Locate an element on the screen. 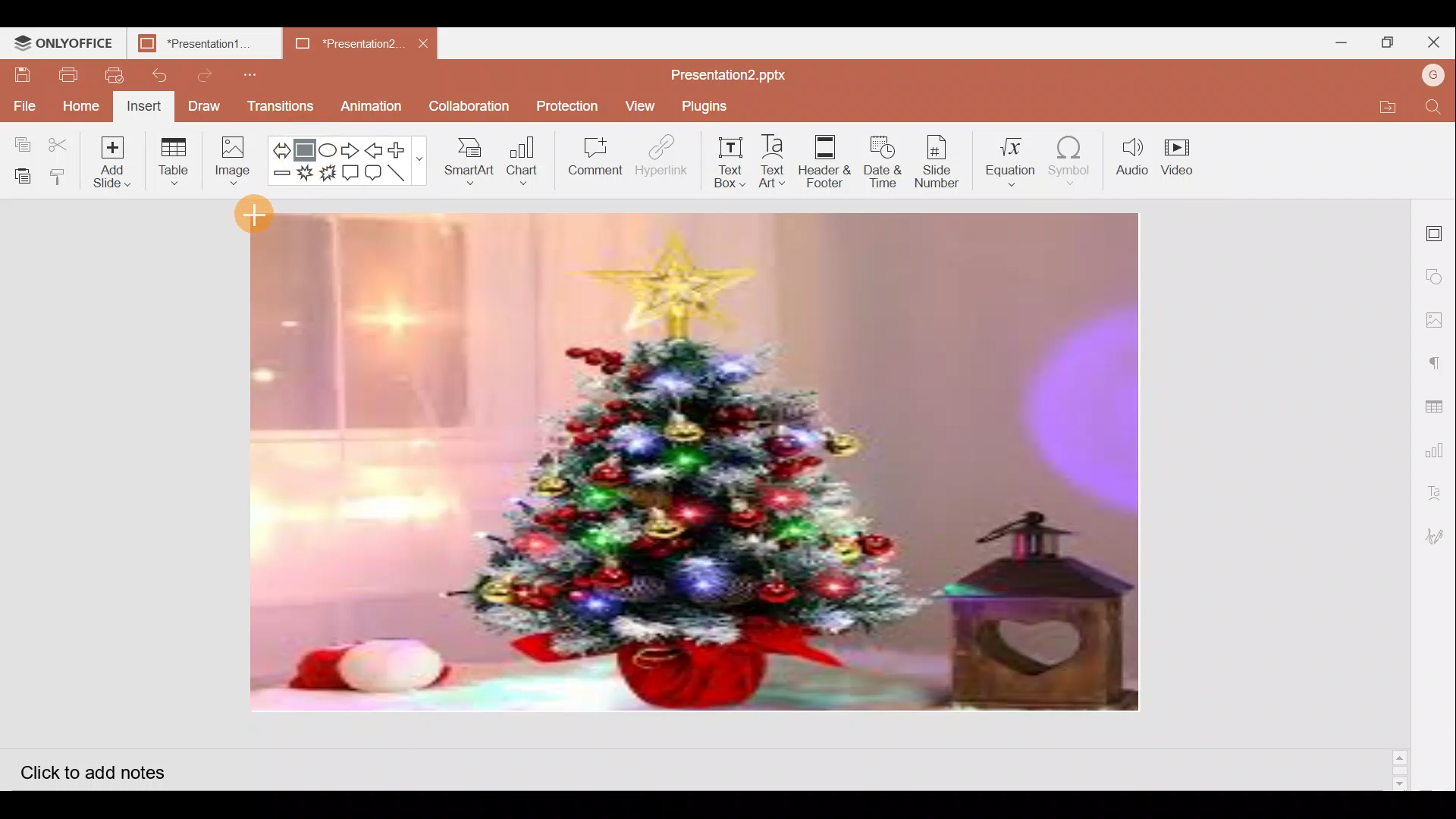 The width and height of the screenshot is (1456, 819). Account name is located at coordinates (1435, 75).